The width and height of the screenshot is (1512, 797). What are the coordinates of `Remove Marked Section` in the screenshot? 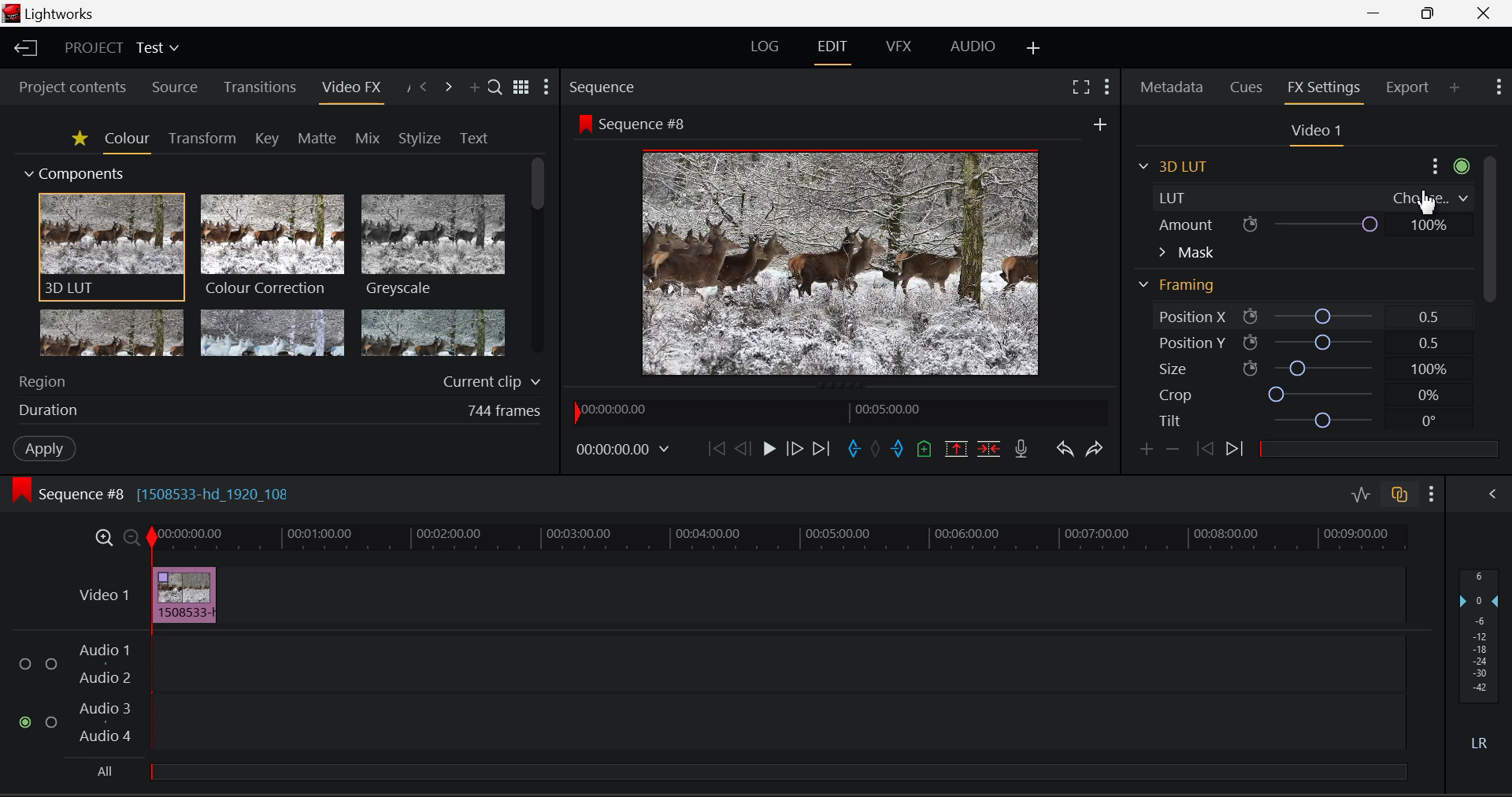 It's located at (954, 448).